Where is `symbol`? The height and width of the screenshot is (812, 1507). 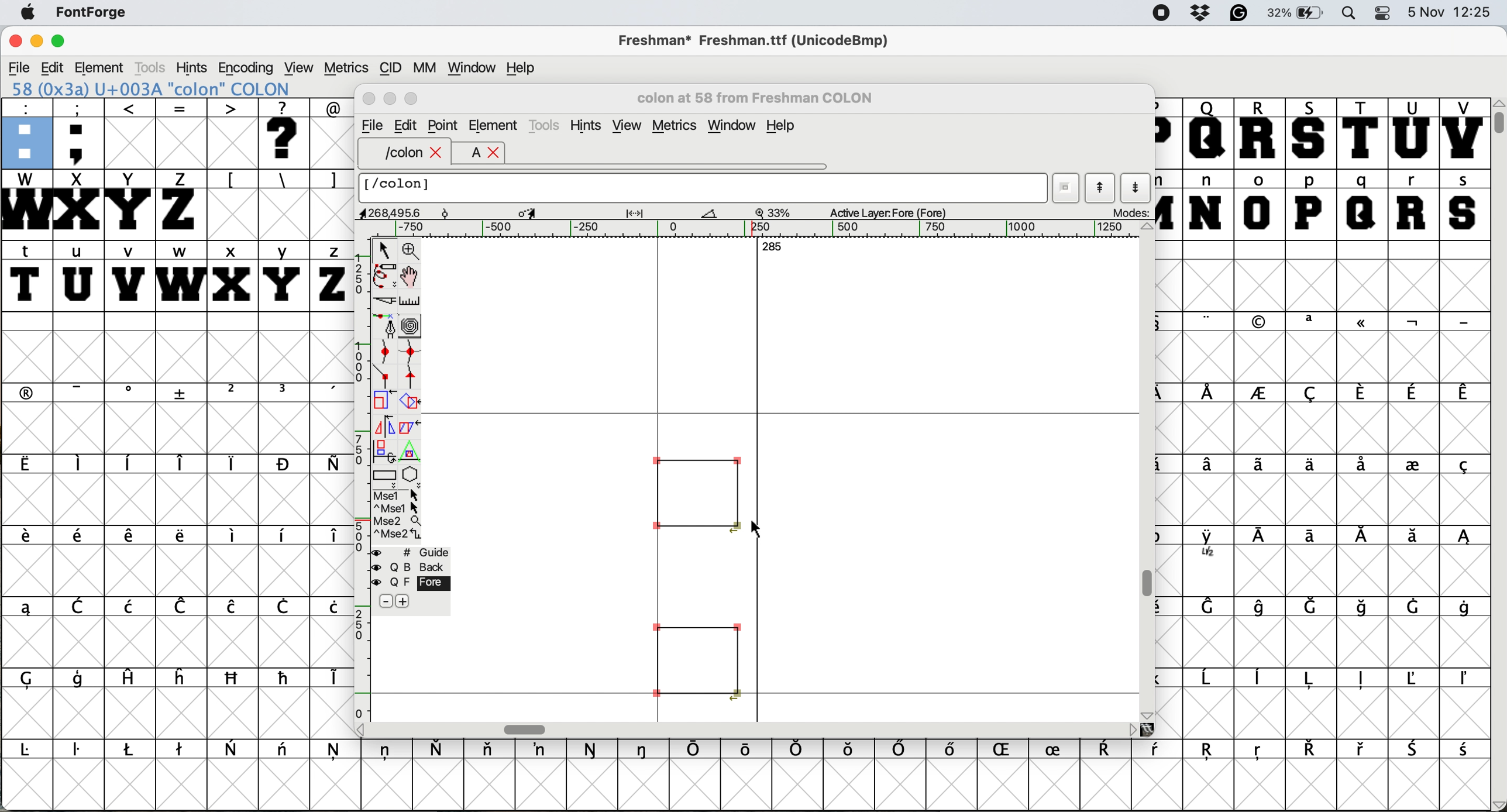
symbol is located at coordinates (1007, 751).